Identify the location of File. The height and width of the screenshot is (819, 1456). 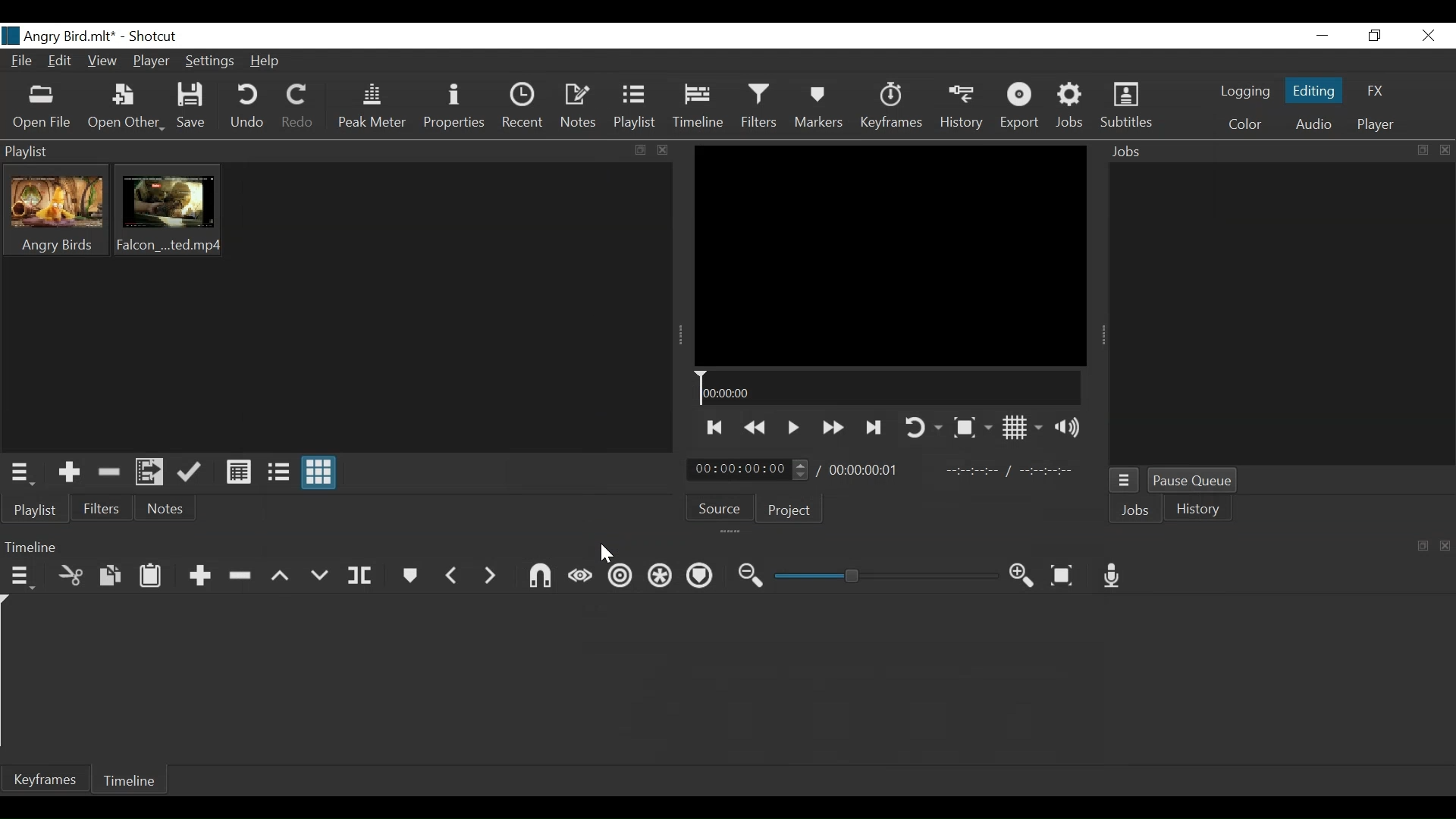
(21, 63).